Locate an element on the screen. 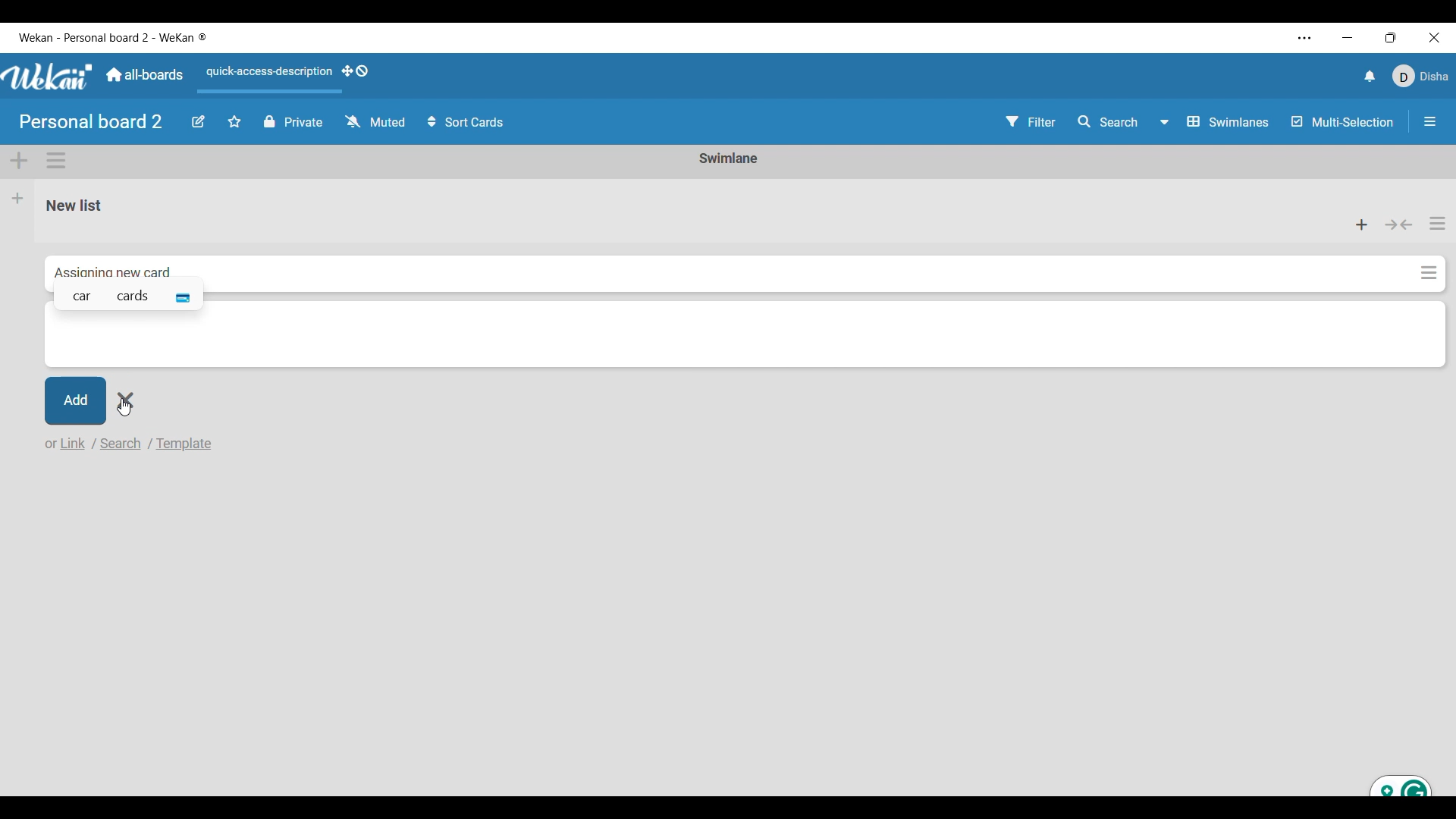 This screenshot has height=819, width=1456. Quick access description is located at coordinates (266, 78).